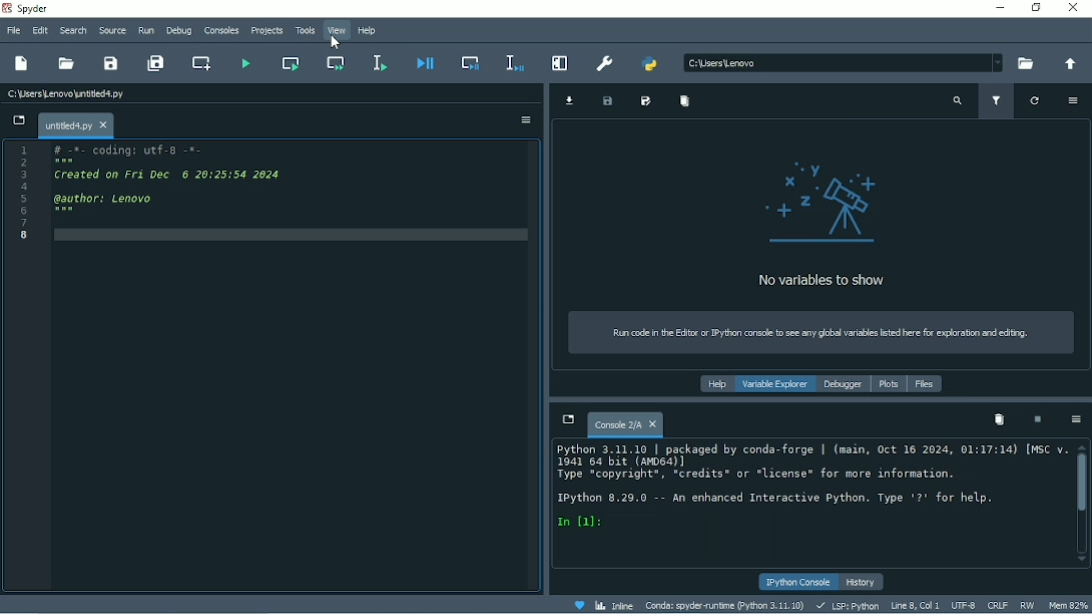 This screenshot has width=1092, height=614. What do you see at coordinates (963, 604) in the screenshot?
I see `UTF` at bounding box center [963, 604].